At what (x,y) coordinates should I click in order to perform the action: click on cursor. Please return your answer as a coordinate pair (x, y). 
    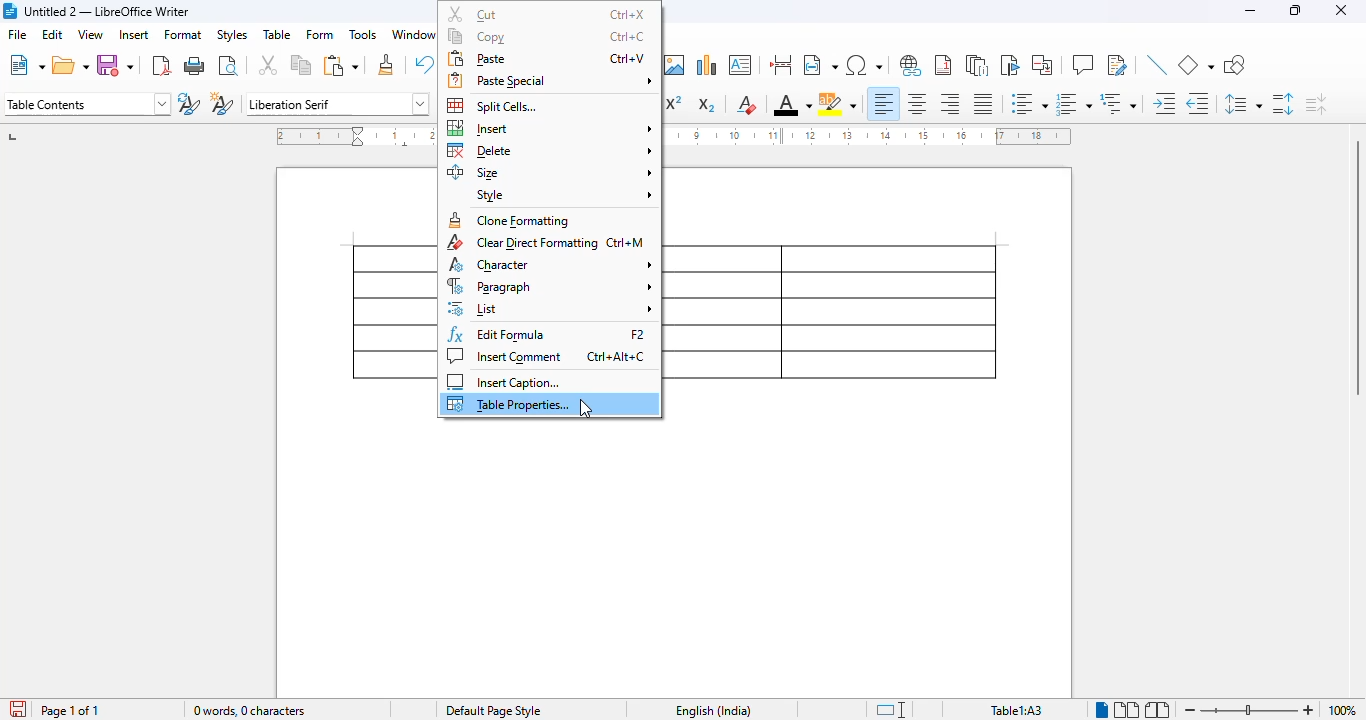
    Looking at the image, I should click on (585, 407).